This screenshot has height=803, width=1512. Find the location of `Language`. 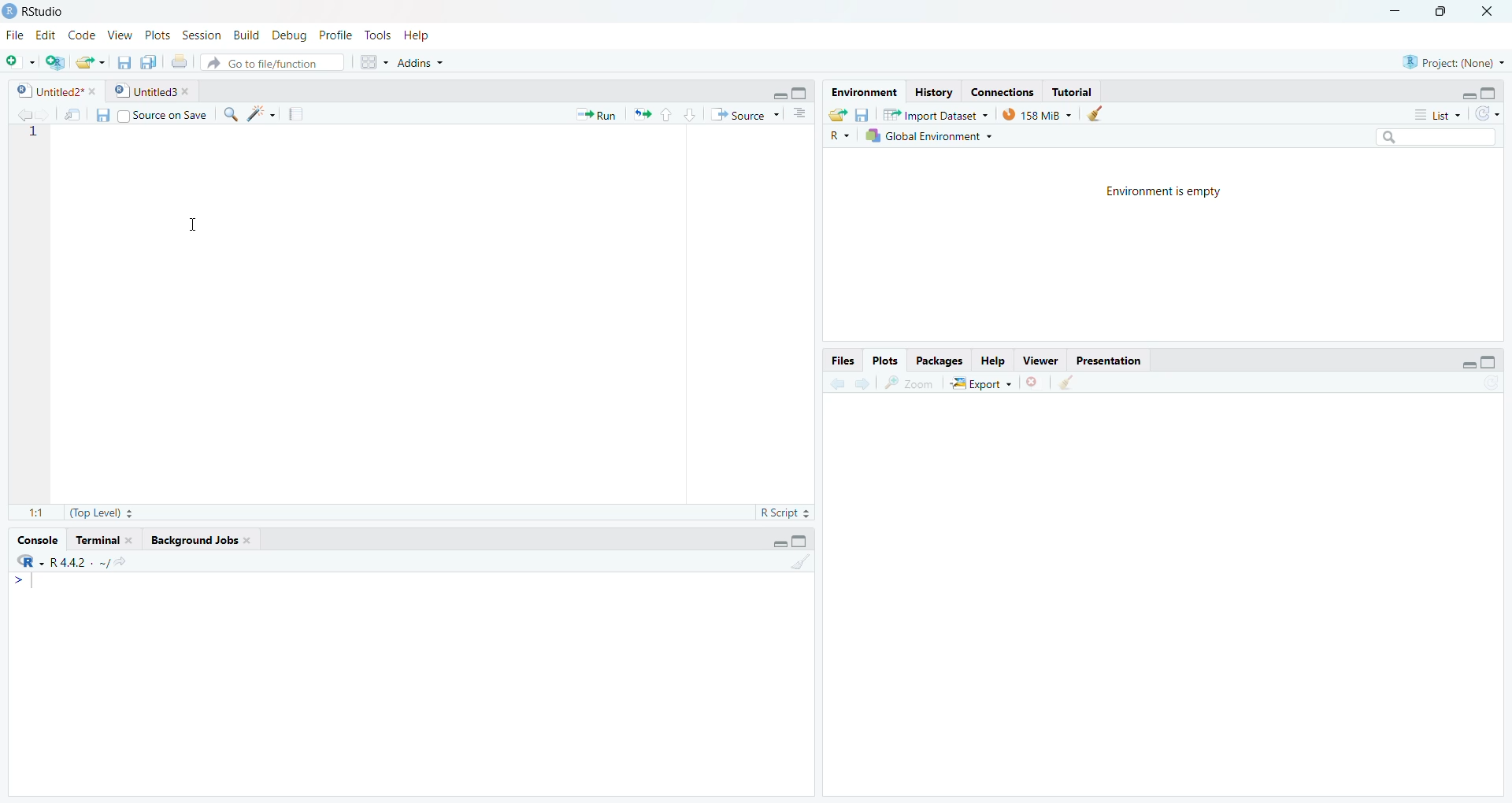

Language is located at coordinates (19, 561).